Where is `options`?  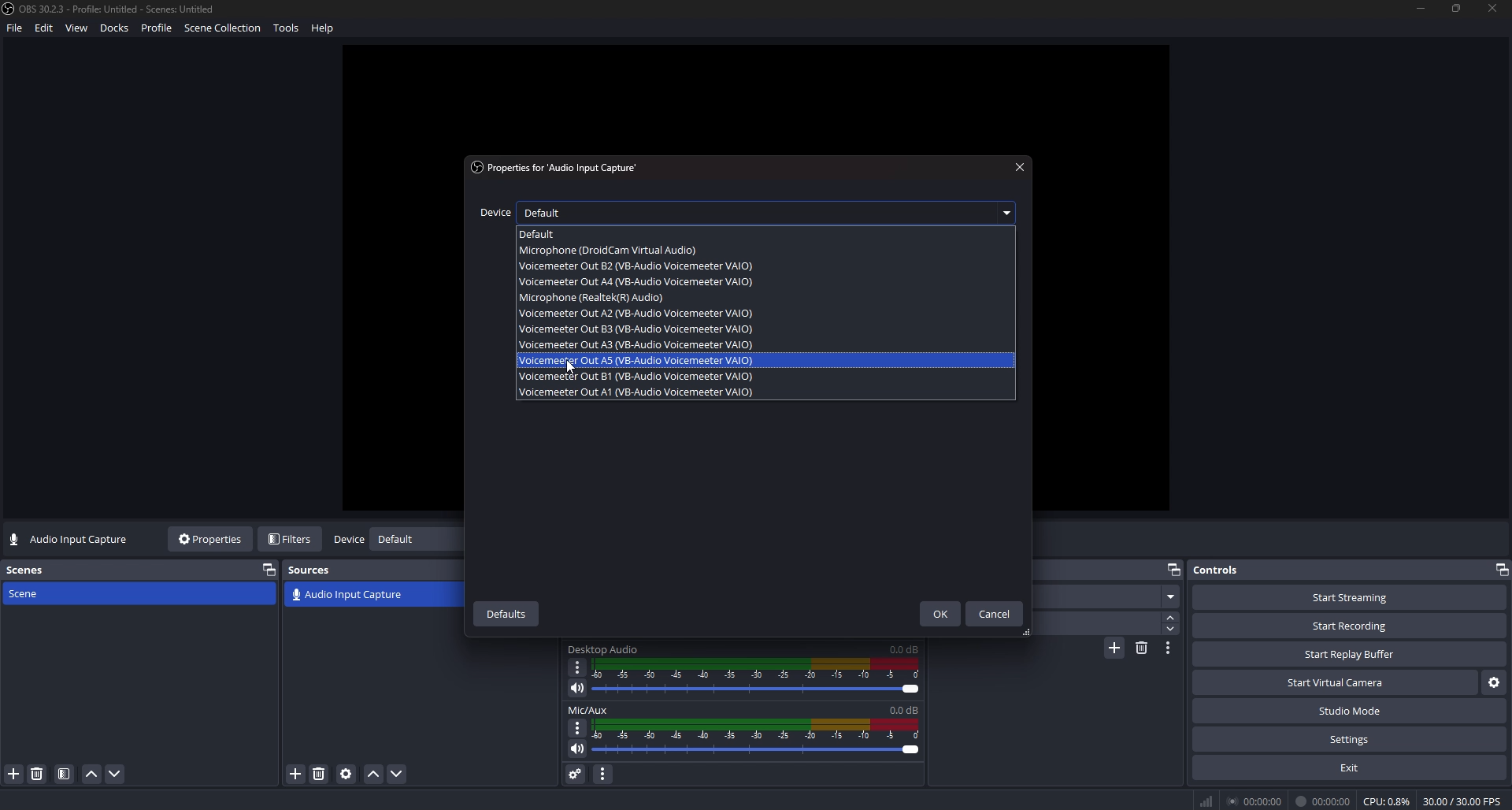 options is located at coordinates (576, 726).